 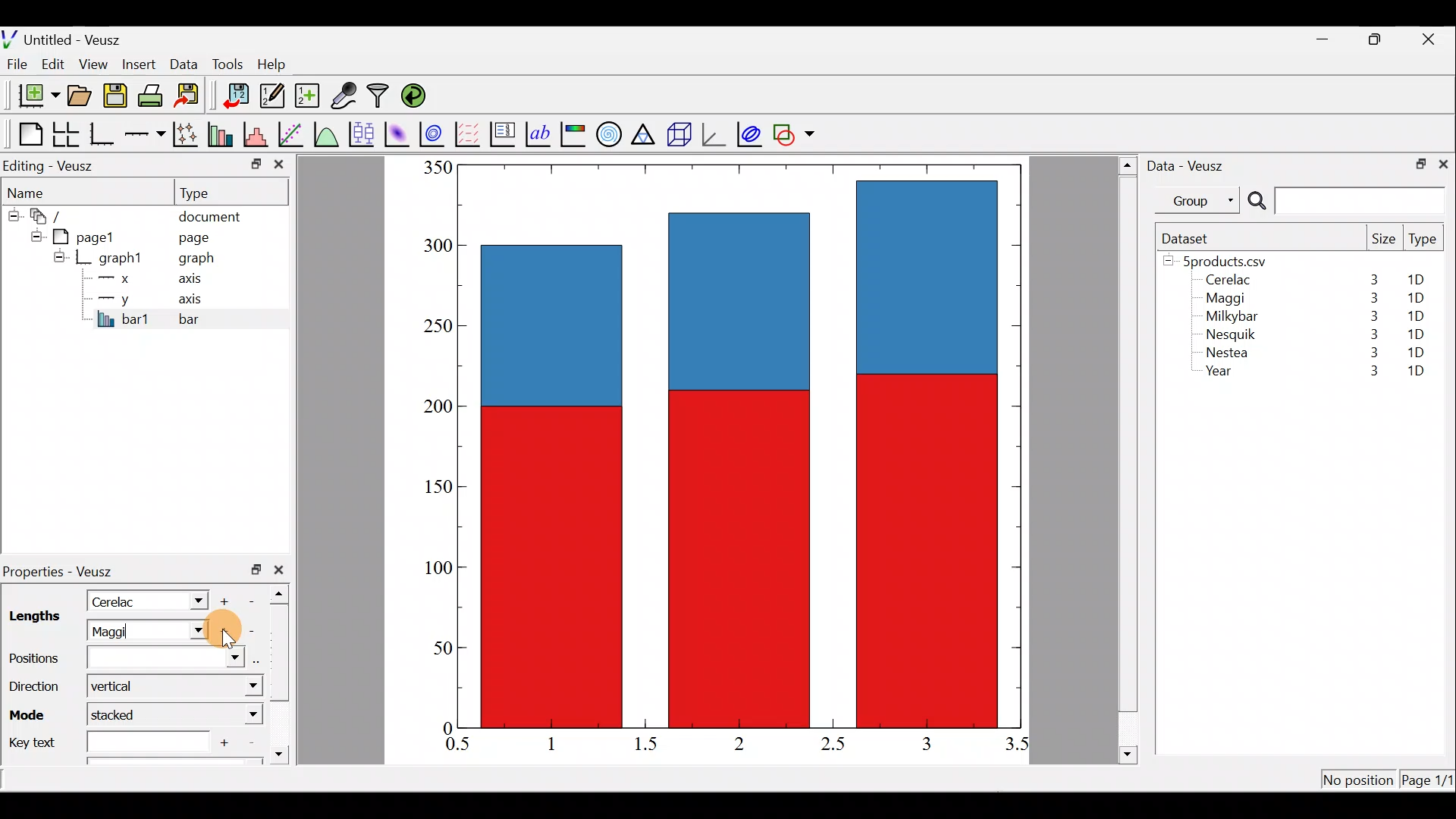 What do you see at coordinates (1416, 372) in the screenshot?
I see `1D` at bounding box center [1416, 372].